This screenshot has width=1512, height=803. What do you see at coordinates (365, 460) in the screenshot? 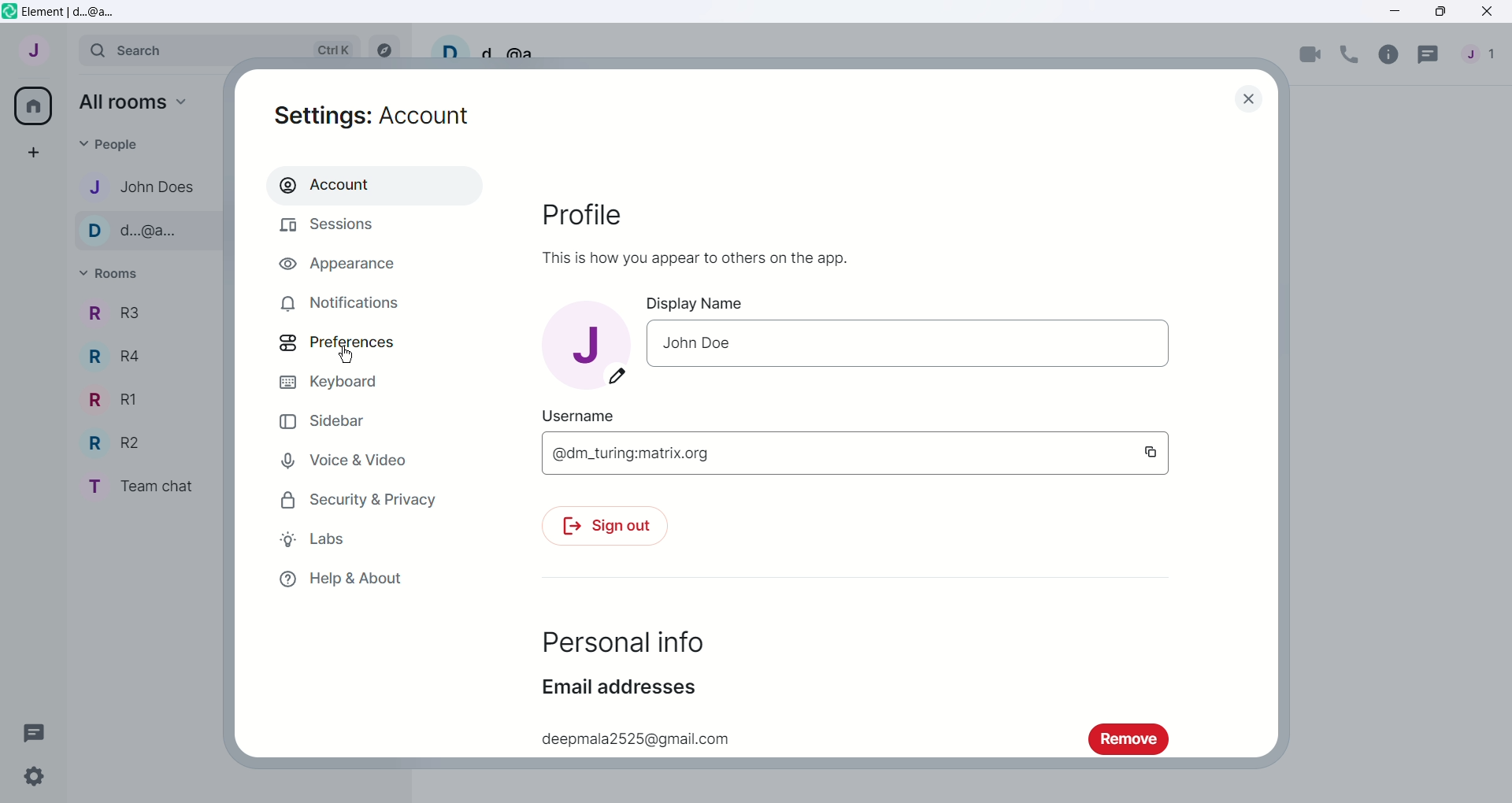
I see `Voice and Video` at bounding box center [365, 460].